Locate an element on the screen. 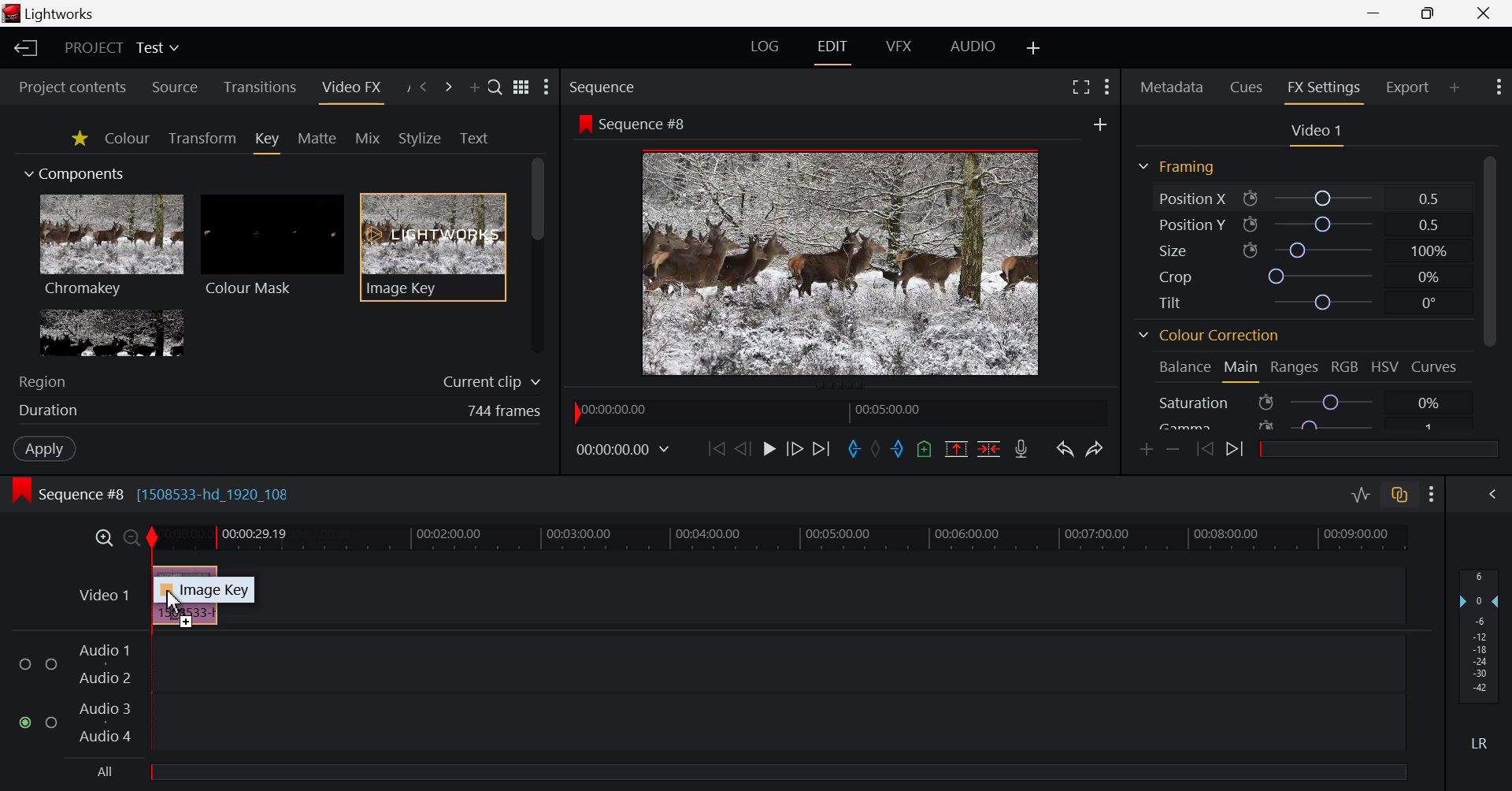 Image resolution: width=1512 pixels, height=791 pixels. Favorites is located at coordinates (80, 141).